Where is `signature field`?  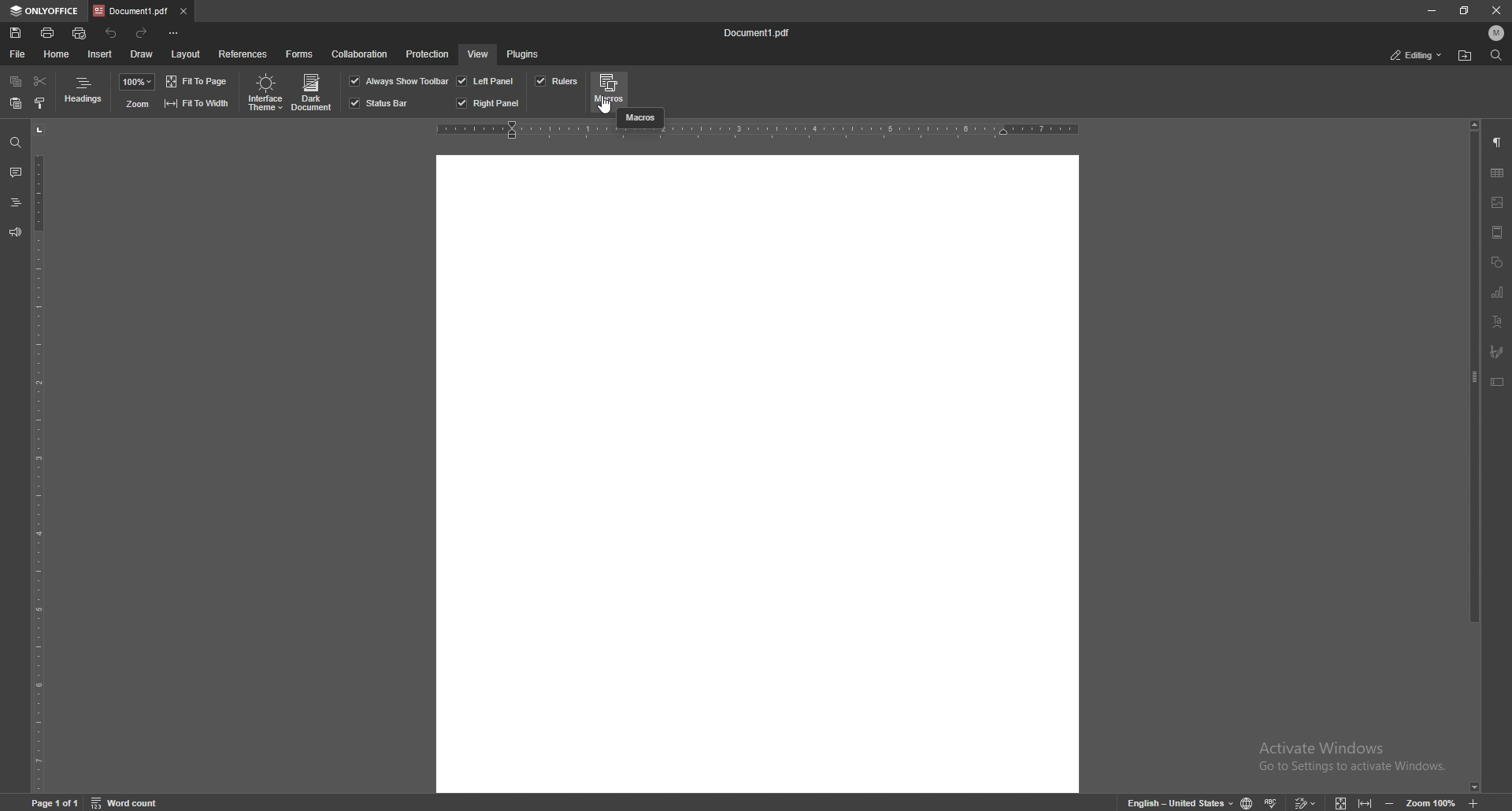 signature field is located at coordinates (1497, 351).